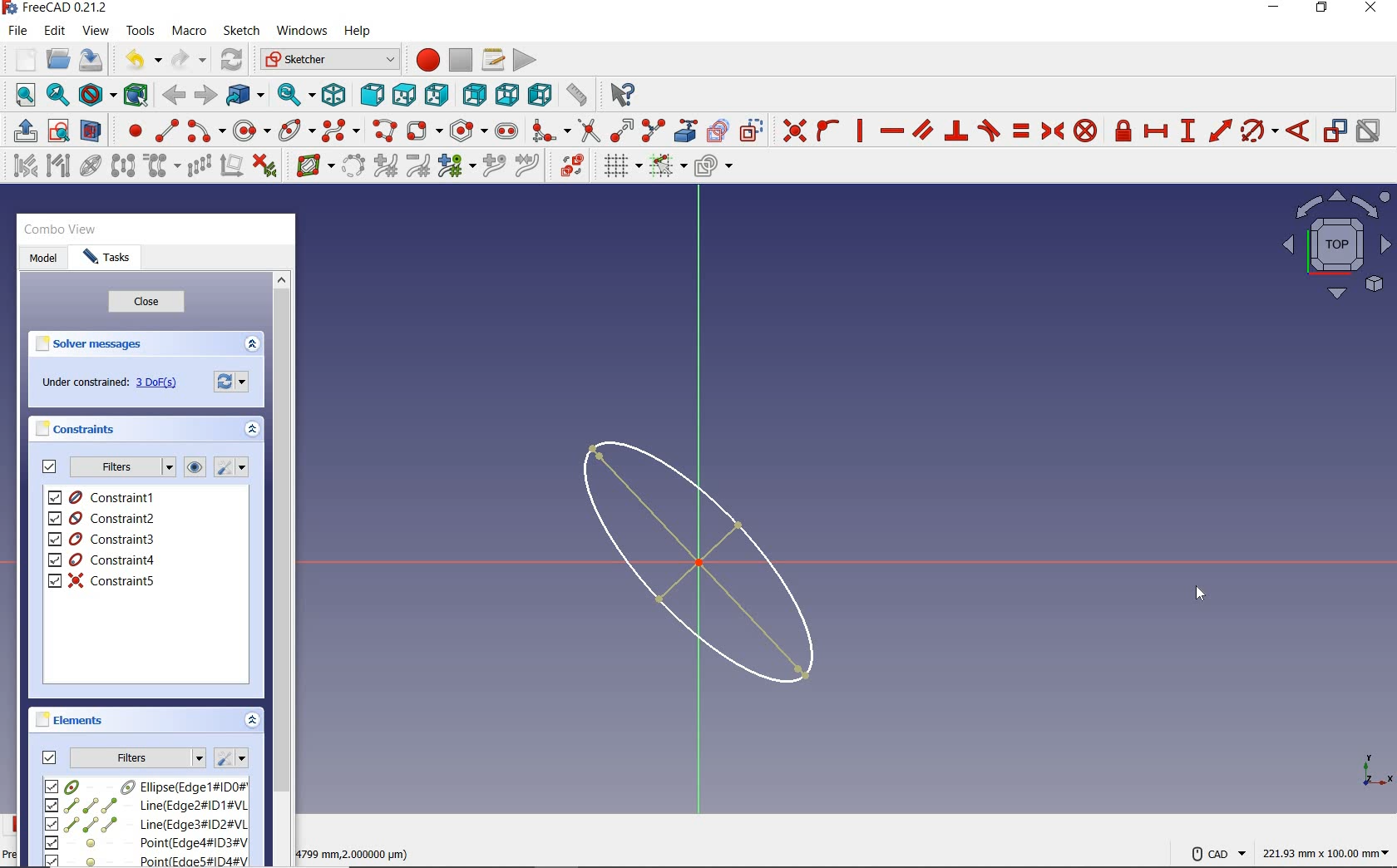  Describe the element at coordinates (102, 560) in the screenshot. I see `constraint4` at that location.